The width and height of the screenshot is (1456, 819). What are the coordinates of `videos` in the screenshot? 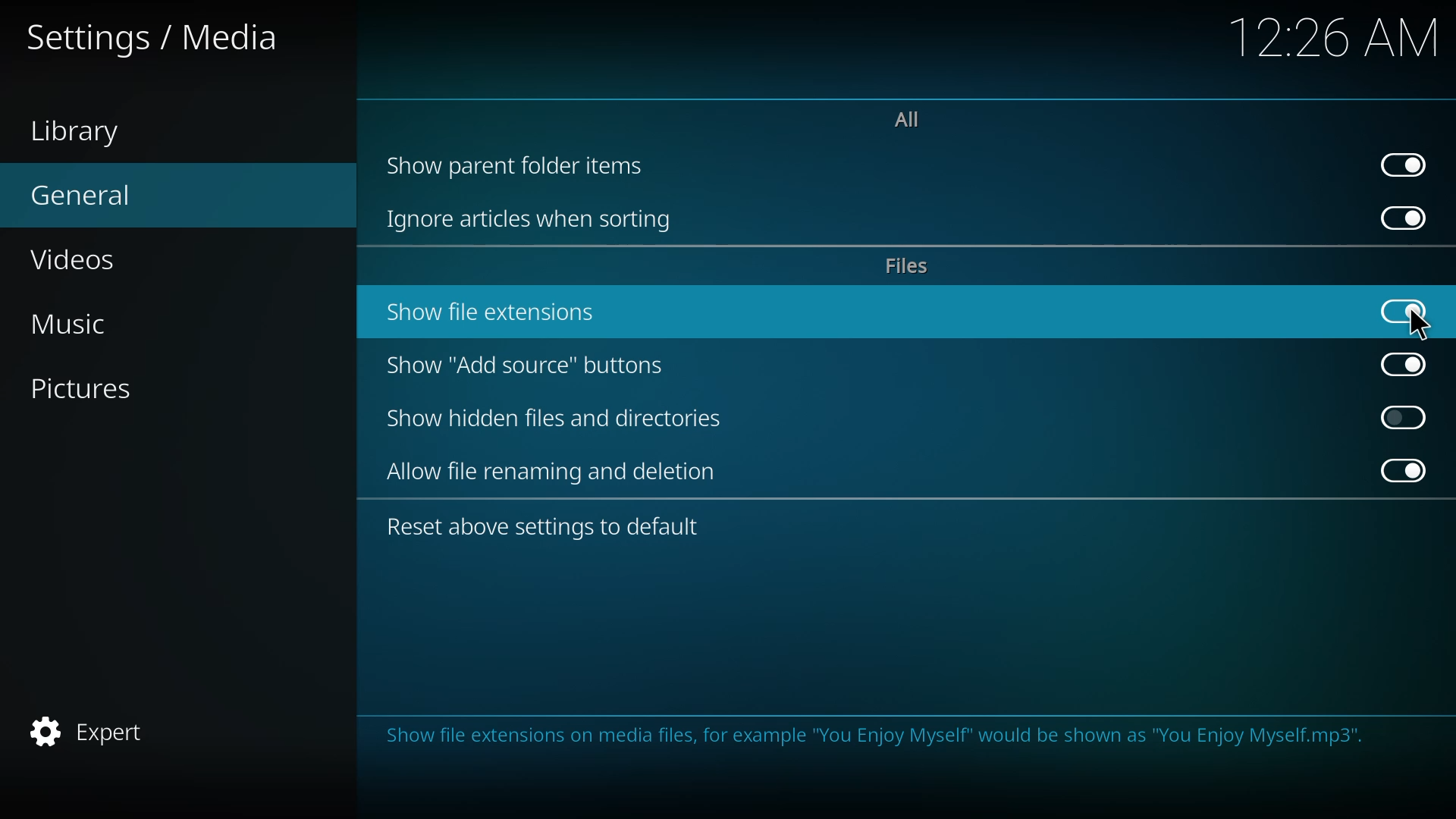 It's located at (83, 257).